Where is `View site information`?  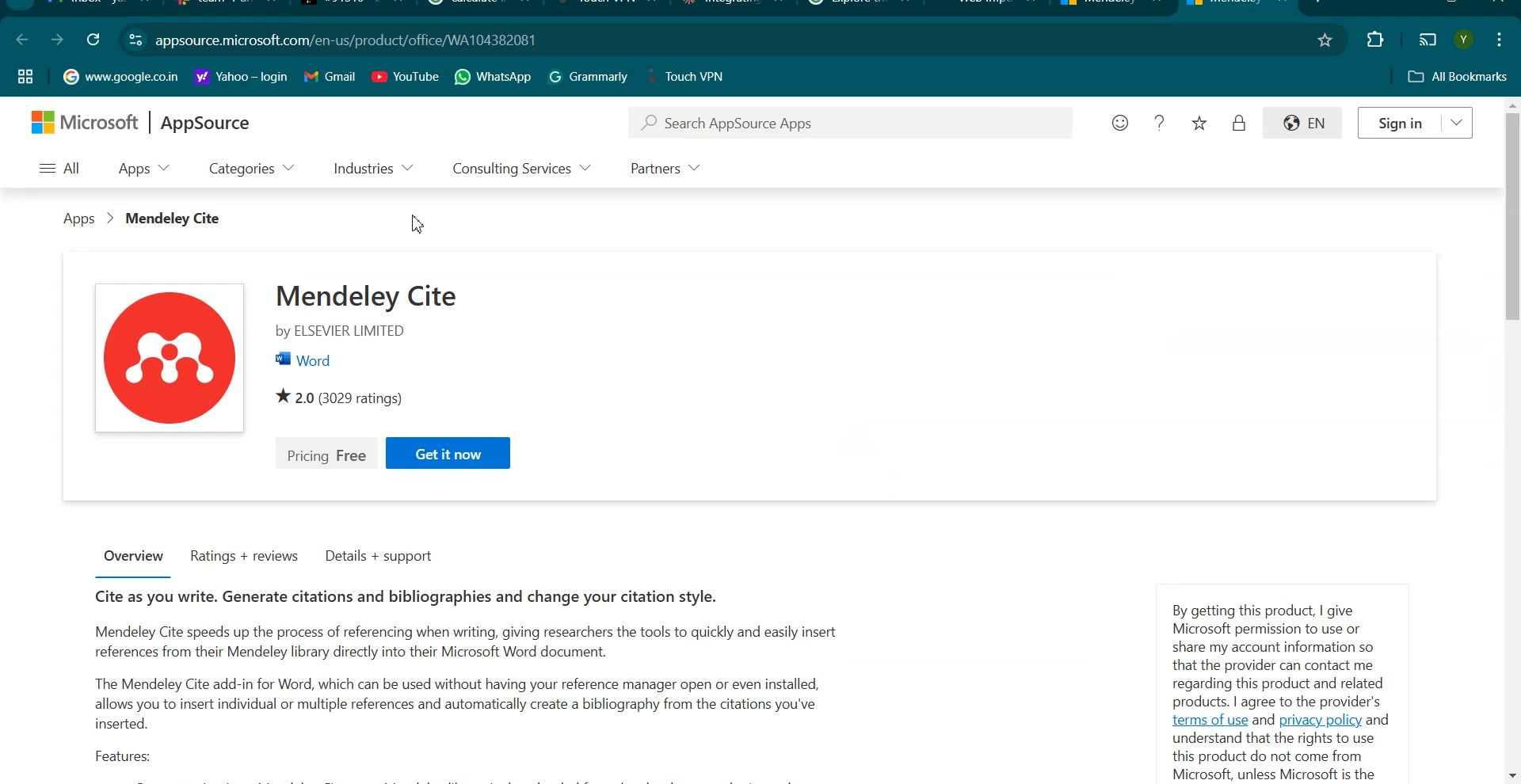 View site information is located at coordinates (135, 39).